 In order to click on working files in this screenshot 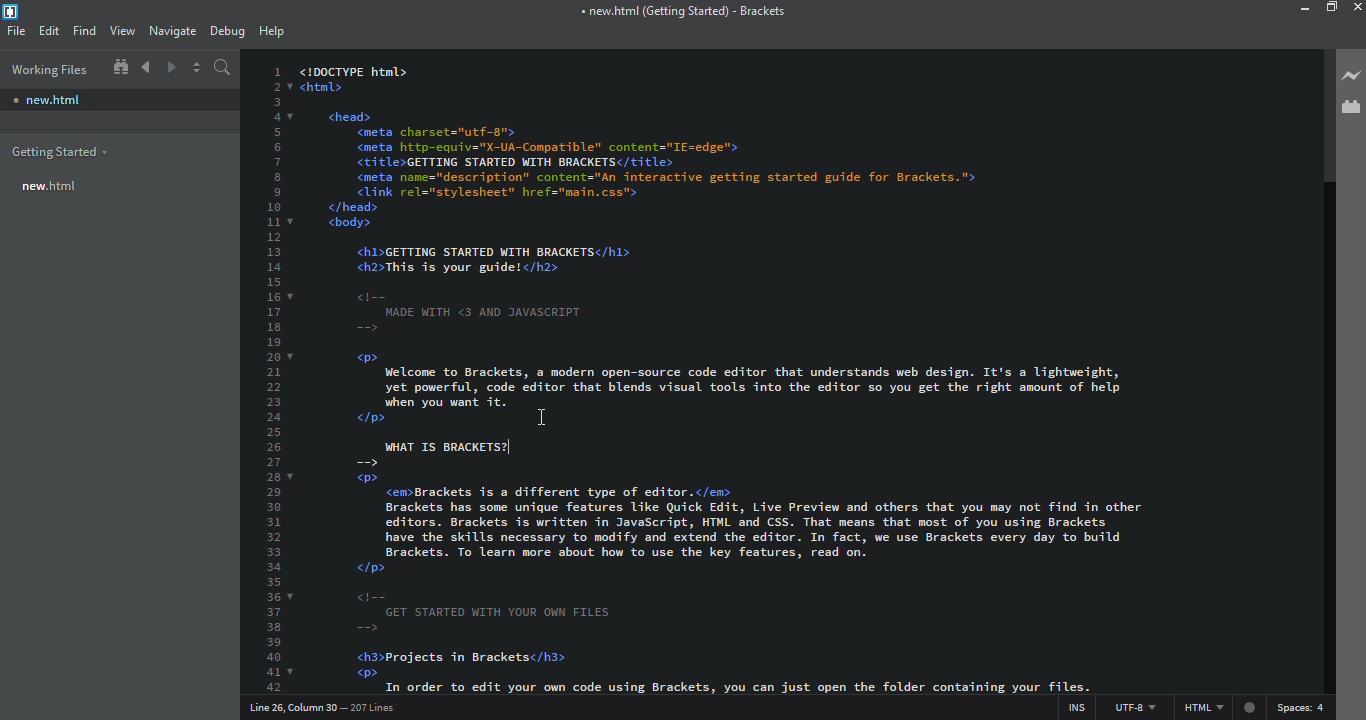, I will do `click(46, 67)`.